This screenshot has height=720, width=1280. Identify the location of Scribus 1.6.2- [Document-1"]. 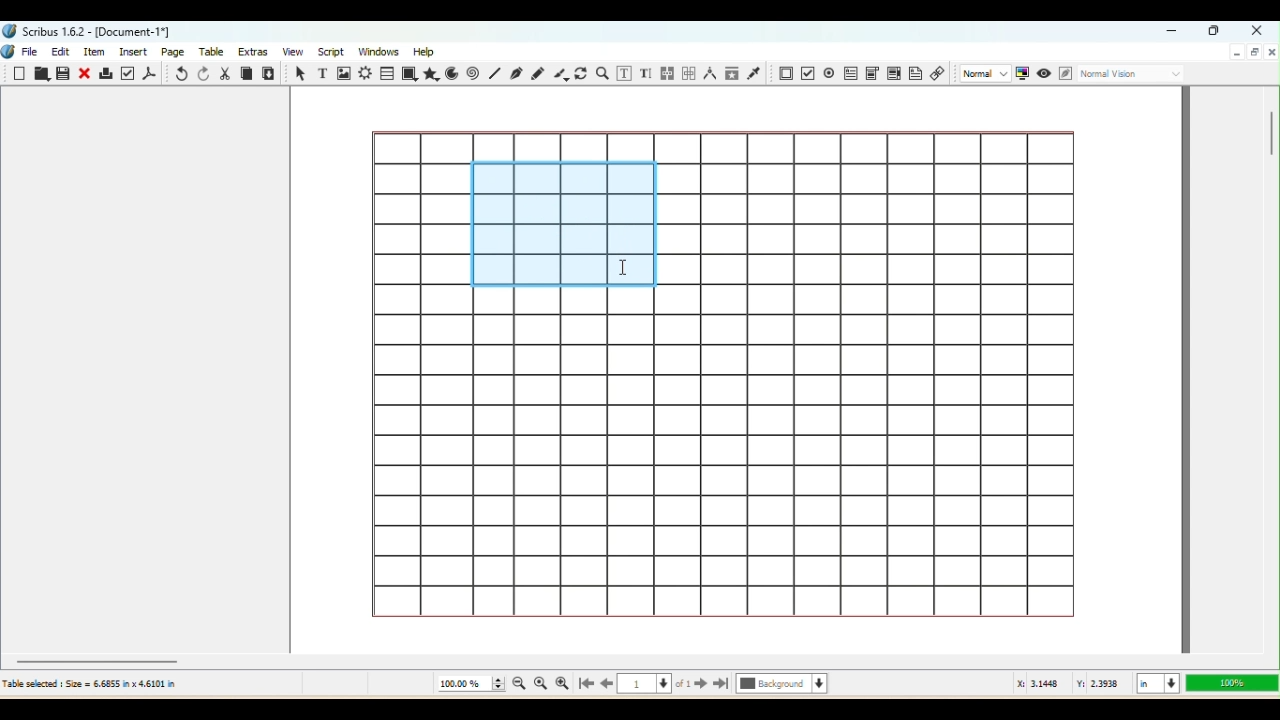
(90, 31).